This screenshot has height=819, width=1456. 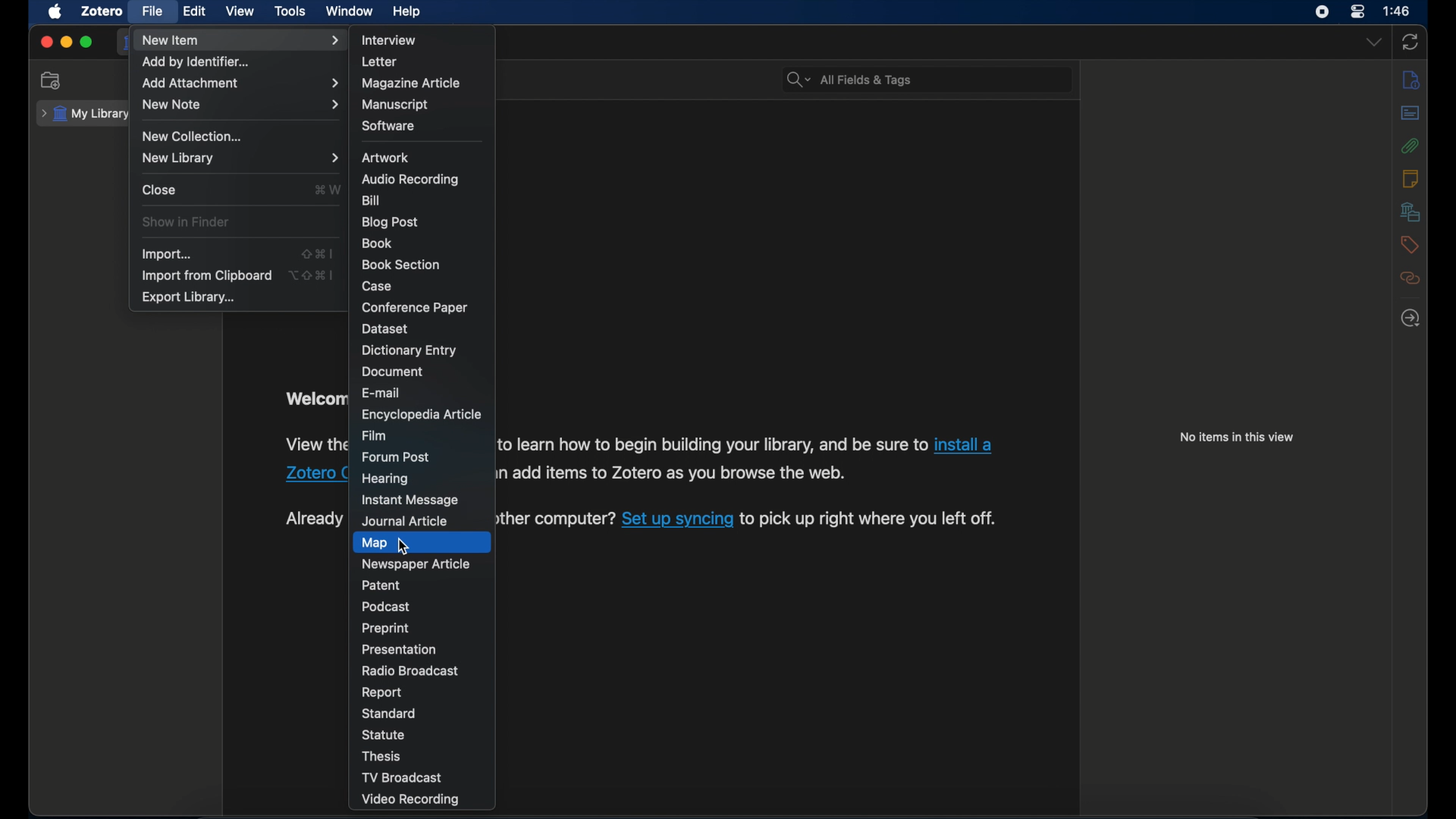 I want to click on map, so click(x=373, y=543).